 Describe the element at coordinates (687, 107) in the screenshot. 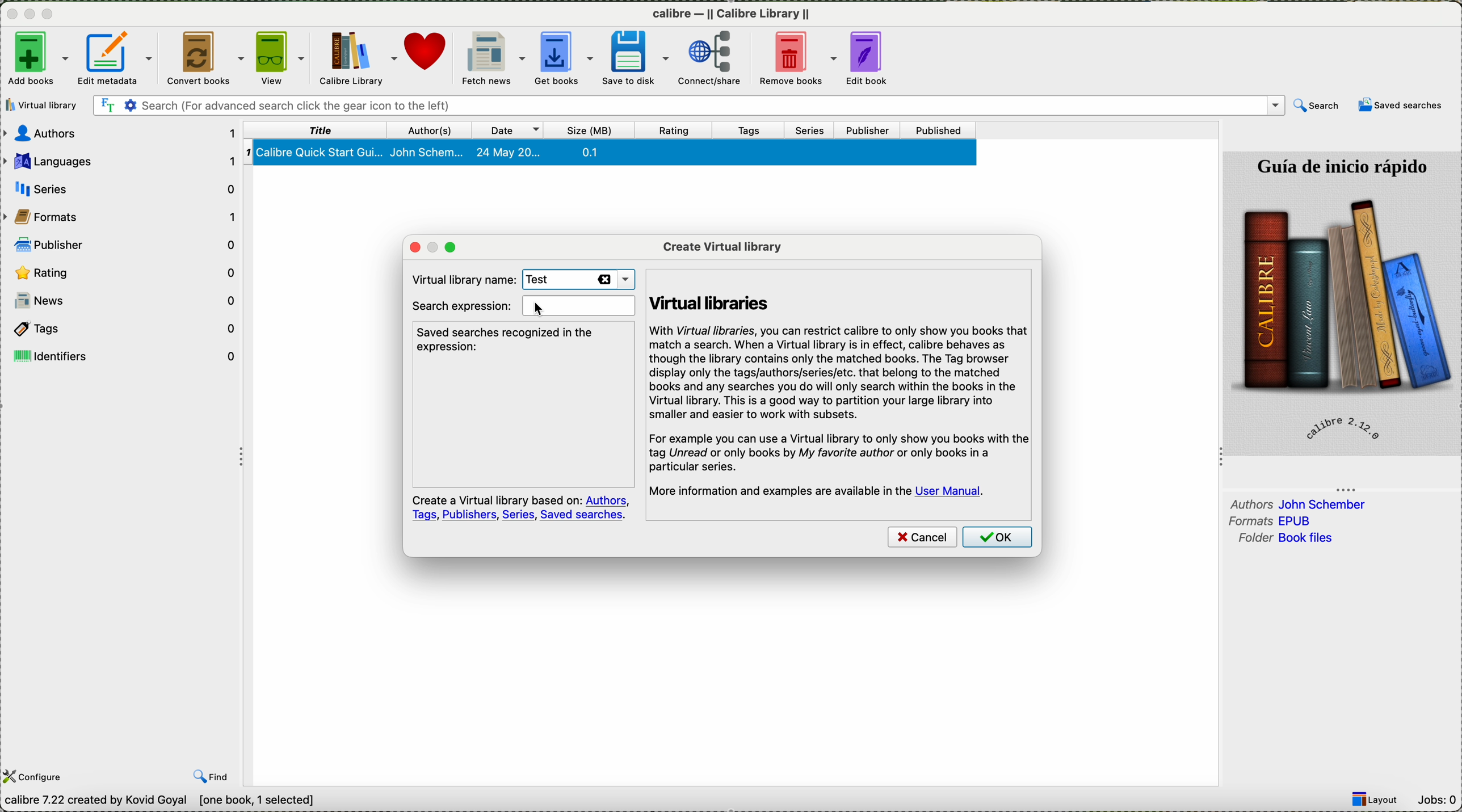

I see `search` at that location.